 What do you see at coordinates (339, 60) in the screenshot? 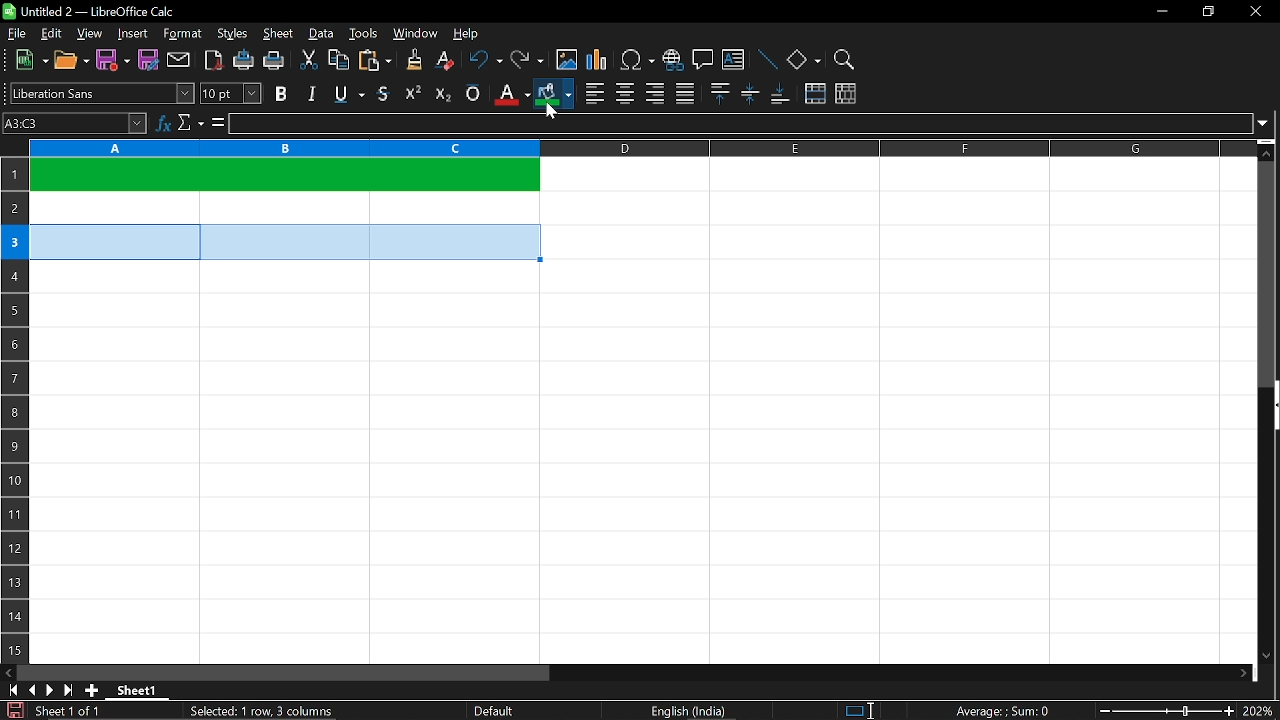
I see `copy` at bounding box center [339, 60].